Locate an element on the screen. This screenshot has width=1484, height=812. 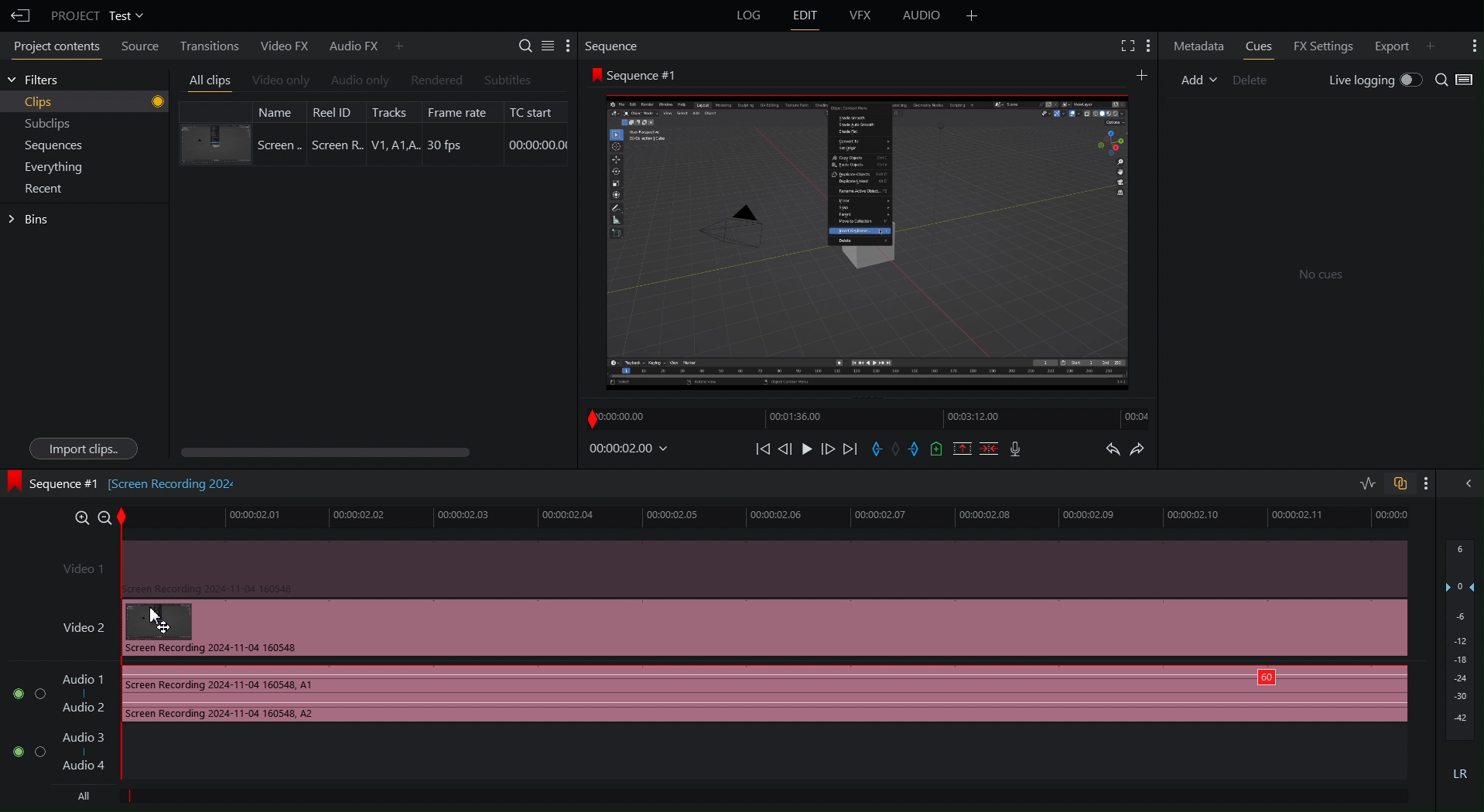
Toggle Audio Editing is located at coordinates (1363, 481).